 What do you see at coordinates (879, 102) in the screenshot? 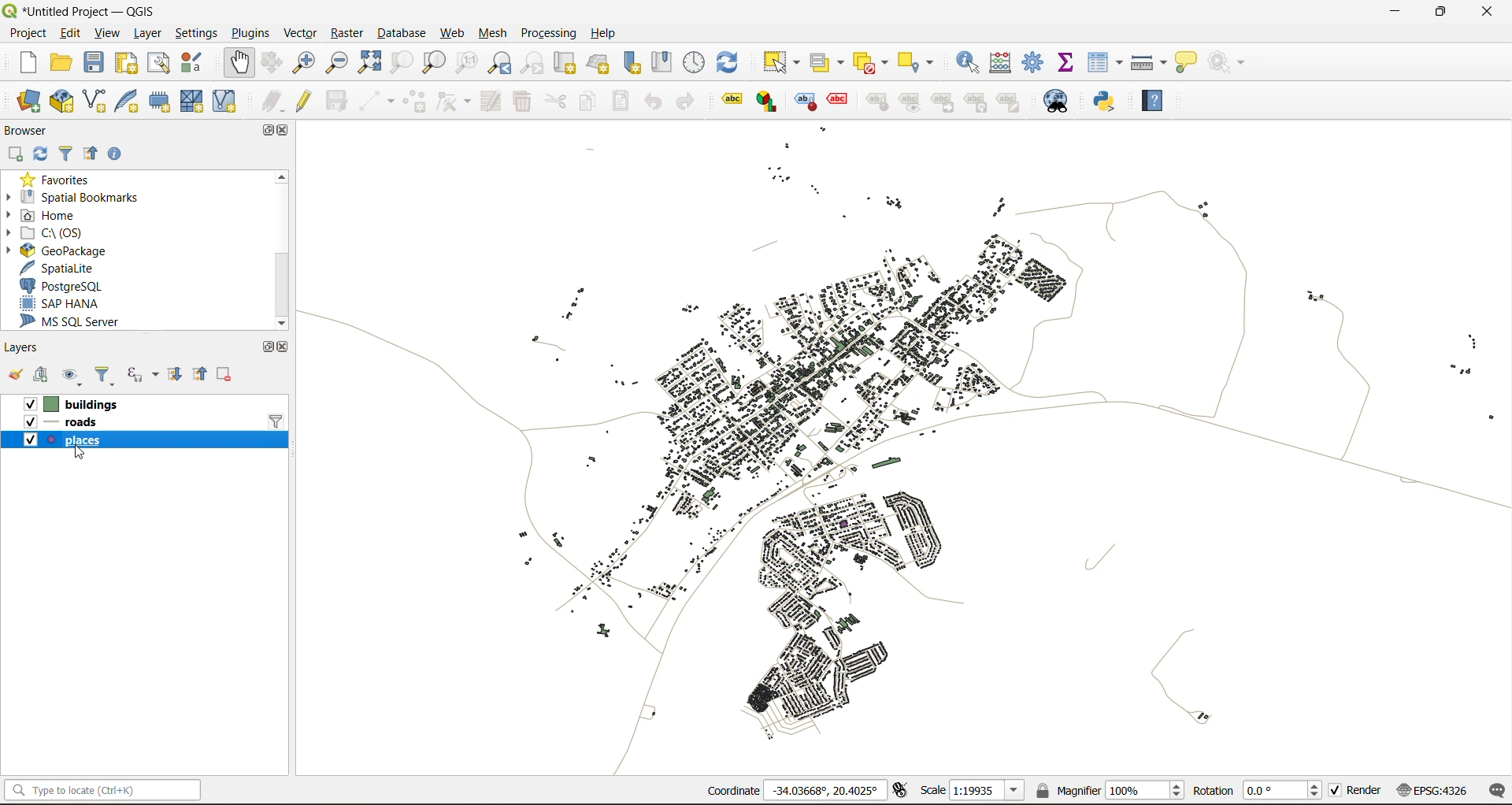
I see `pin/unpin labels and diagrams` at bounding box center [879, 102].